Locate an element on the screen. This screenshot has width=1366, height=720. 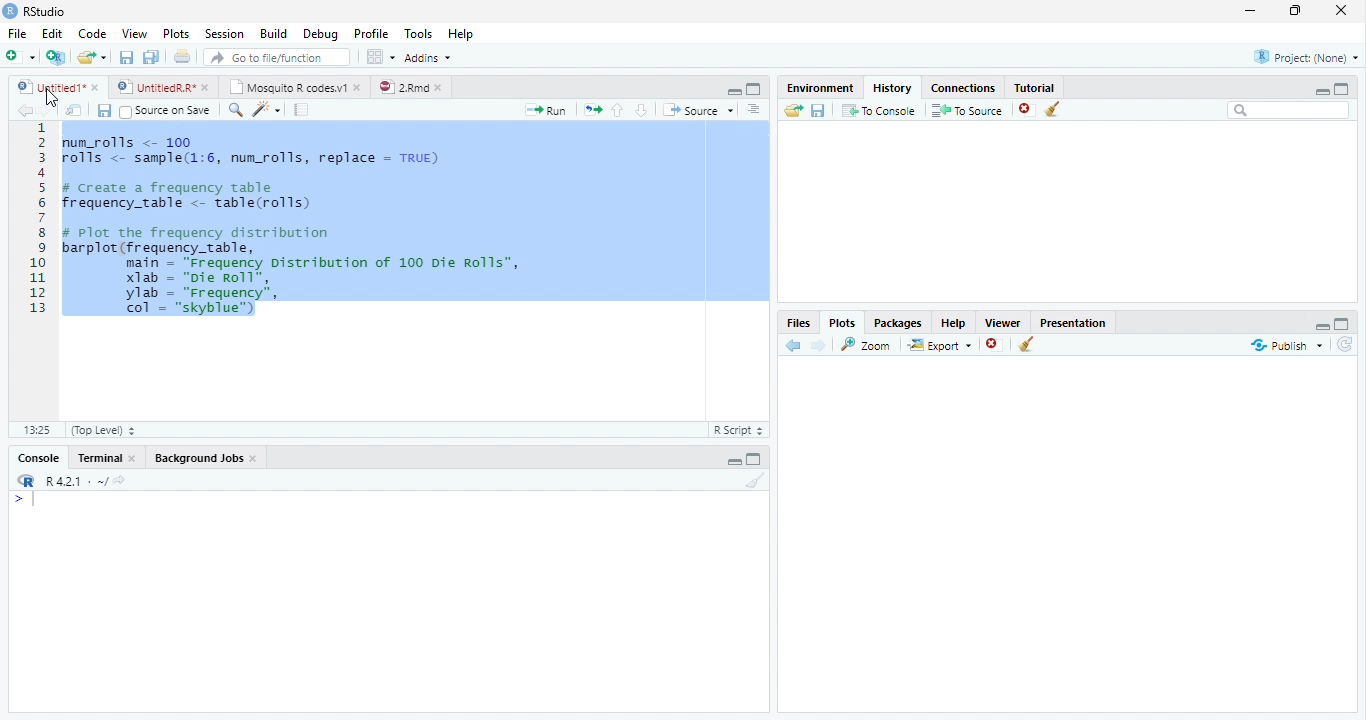
Plots is located at coordinates (843, 321).